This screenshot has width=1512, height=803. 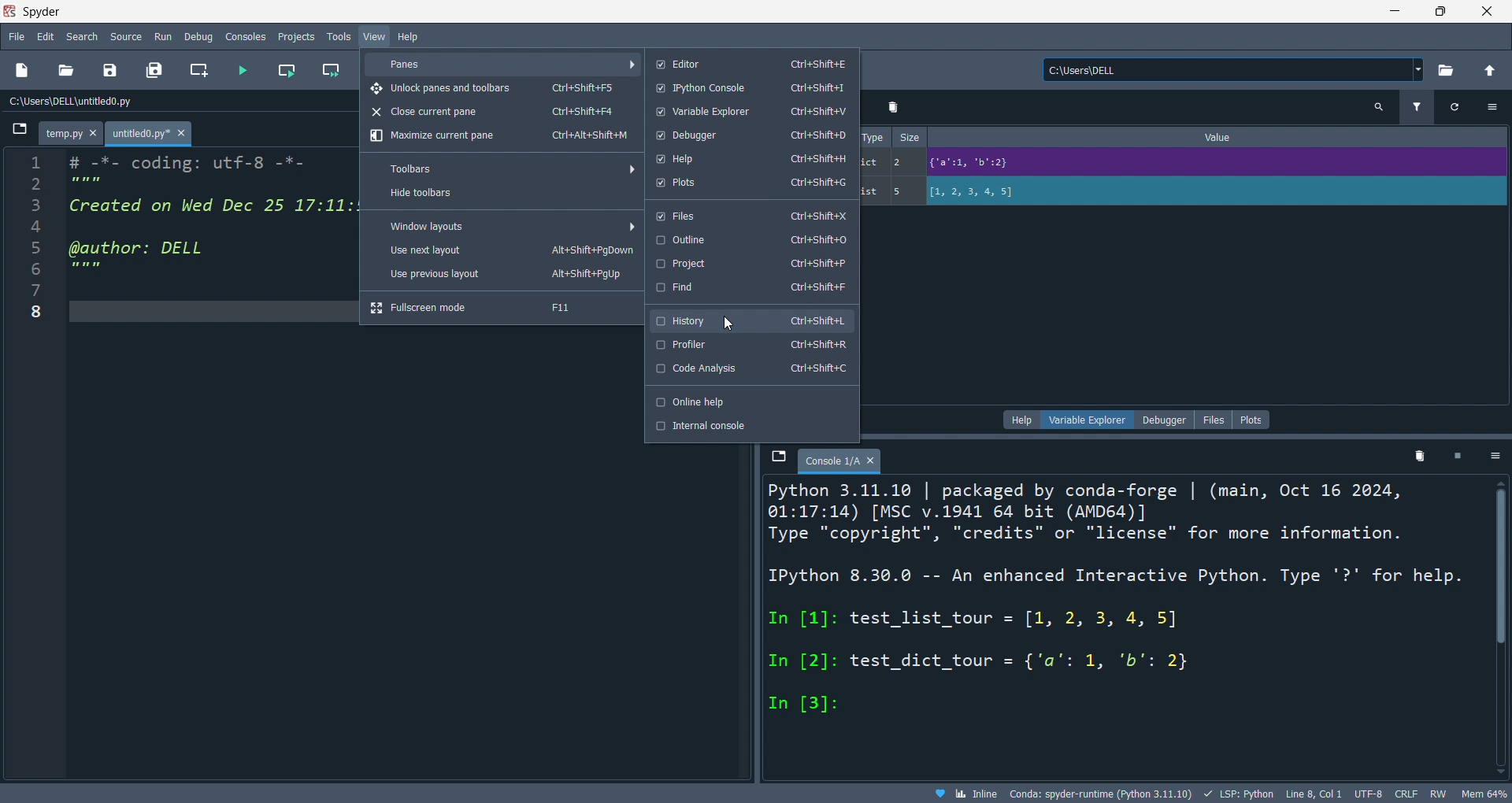 I want to click on internal console, so click(x=750, y=426).